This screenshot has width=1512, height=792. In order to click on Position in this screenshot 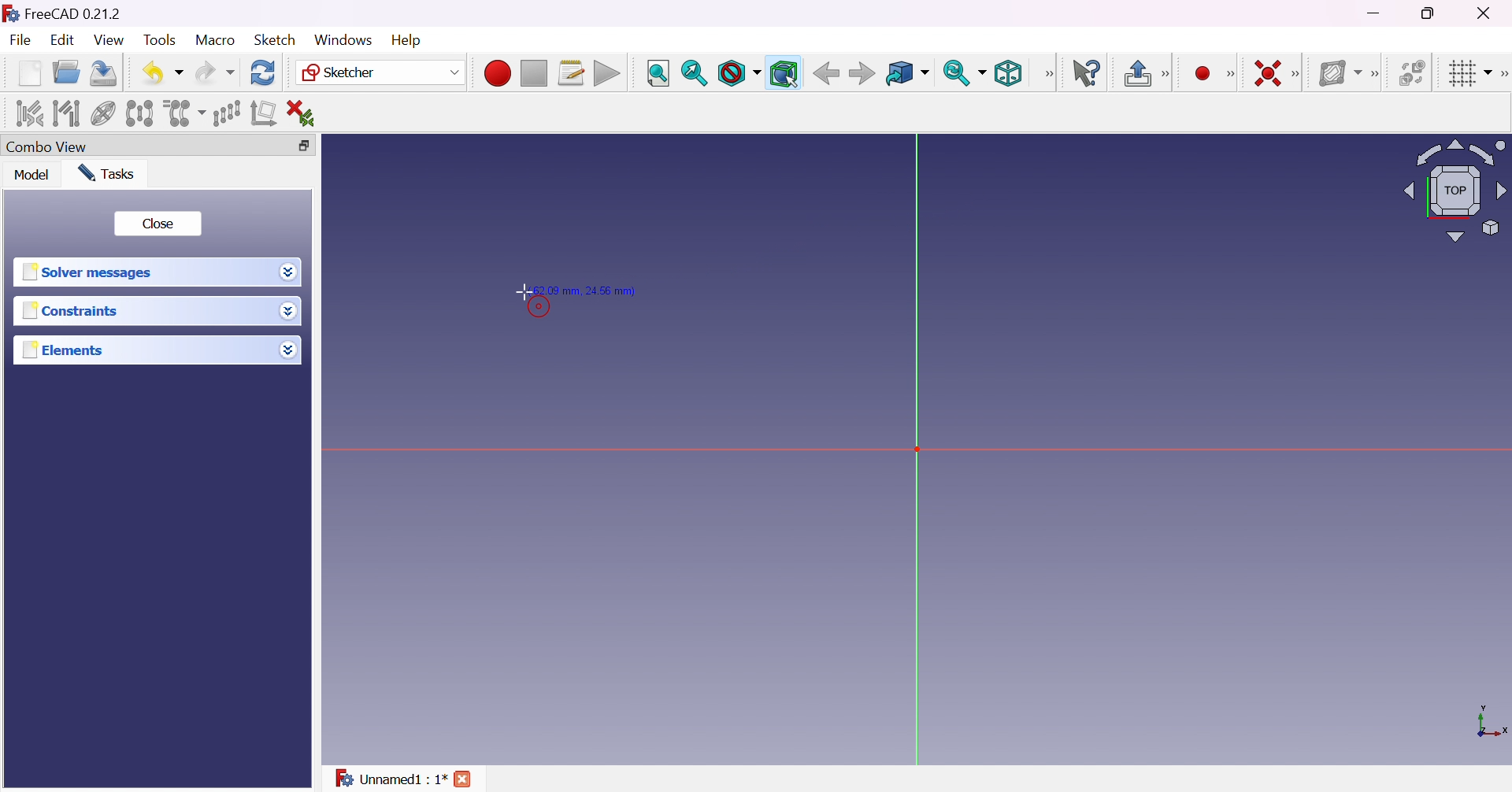, I will do `click(587, 288)`.